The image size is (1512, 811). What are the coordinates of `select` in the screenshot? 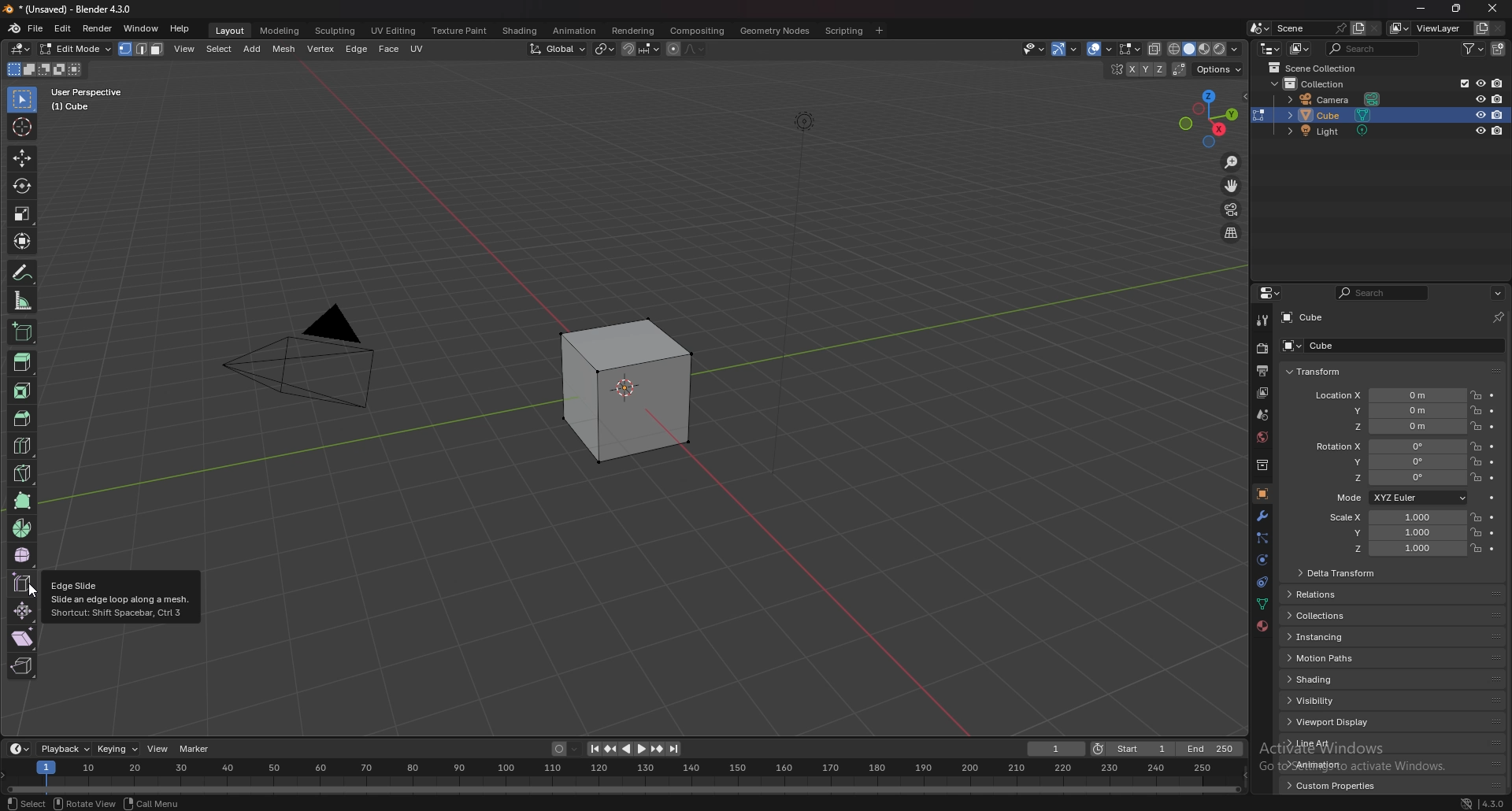 It's located at (23, 101).